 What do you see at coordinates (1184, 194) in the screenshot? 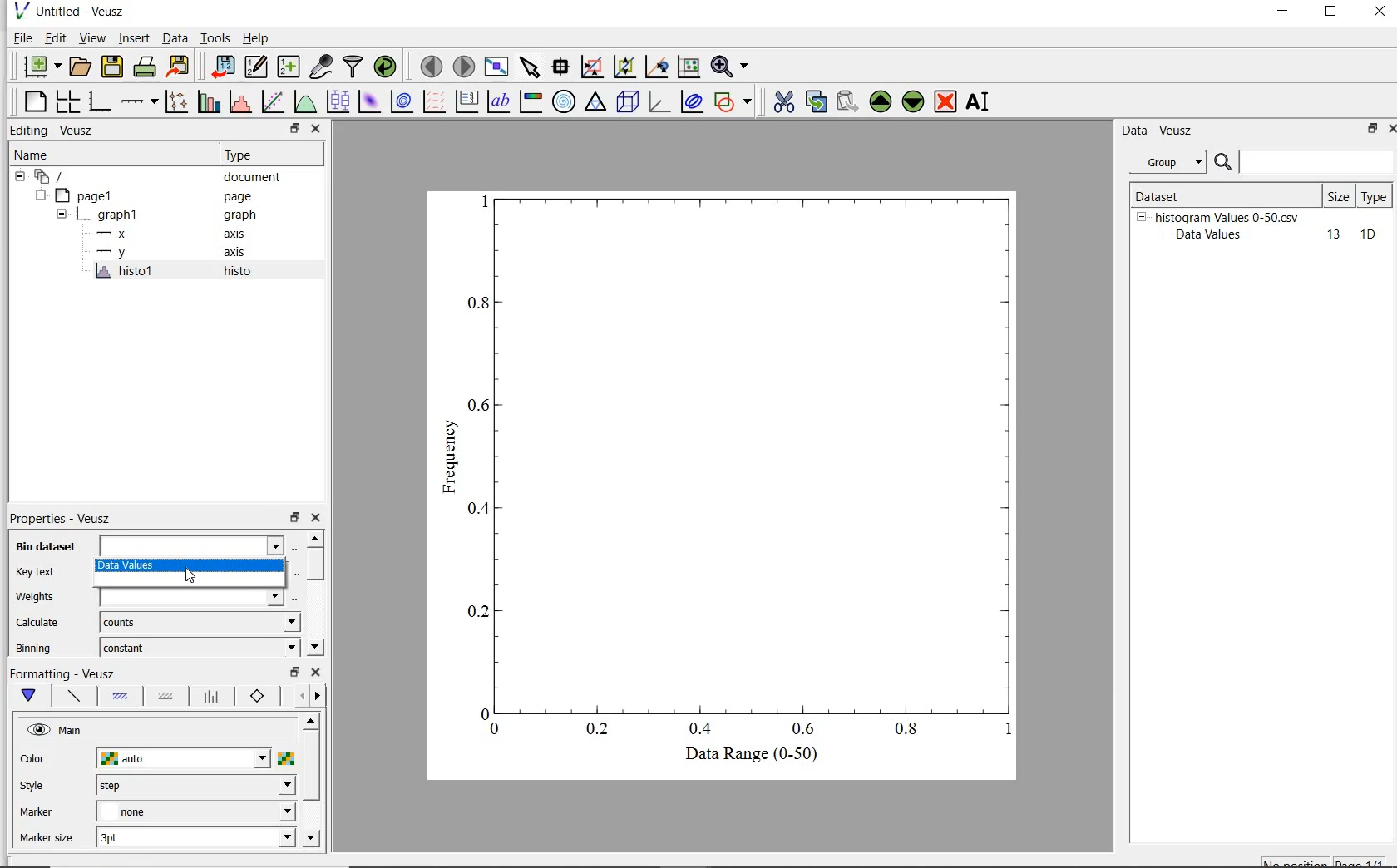
I see `Dataset` at bounding box center [1184, 194].